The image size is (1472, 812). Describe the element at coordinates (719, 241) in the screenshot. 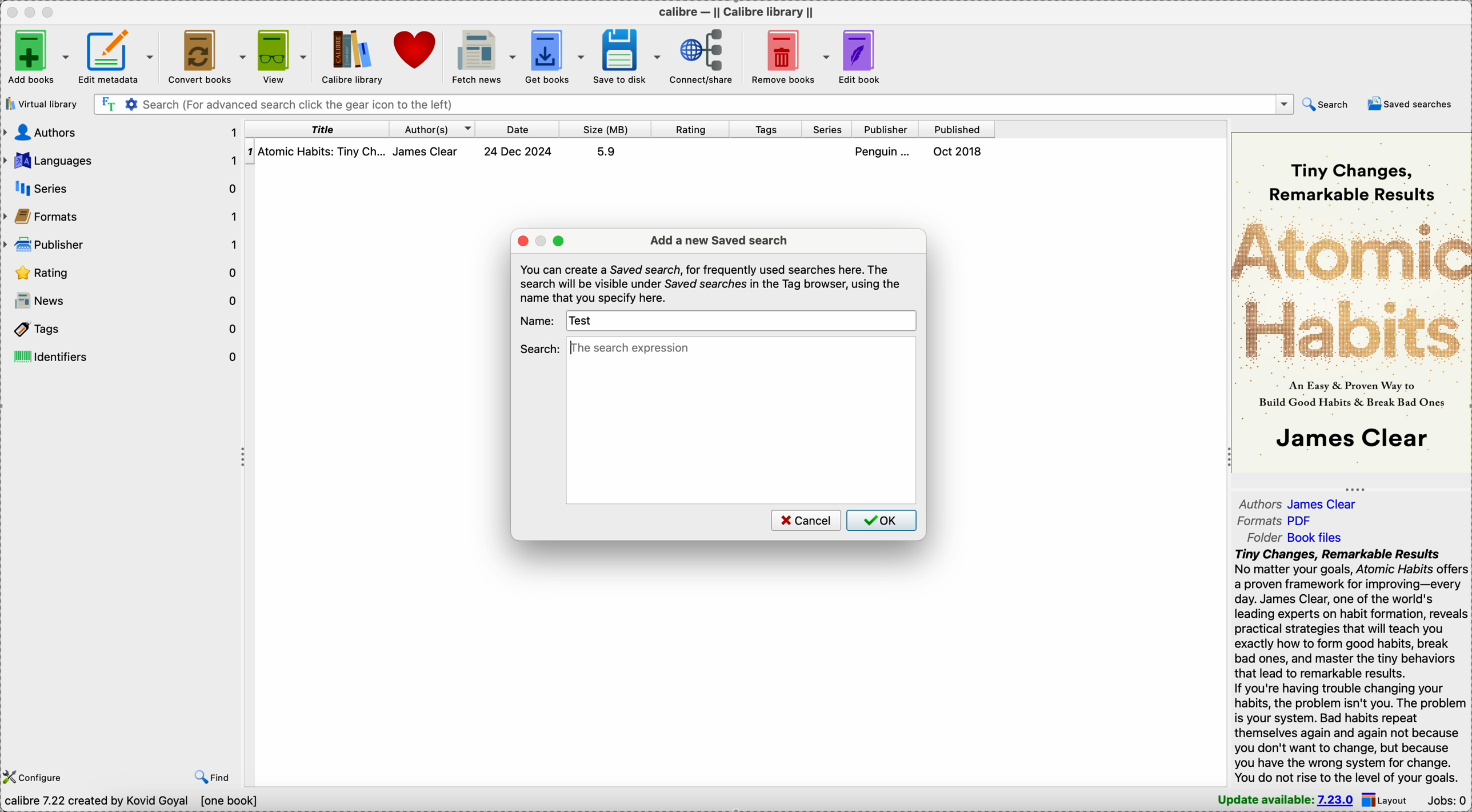

I see `add a new saved search` at that location.